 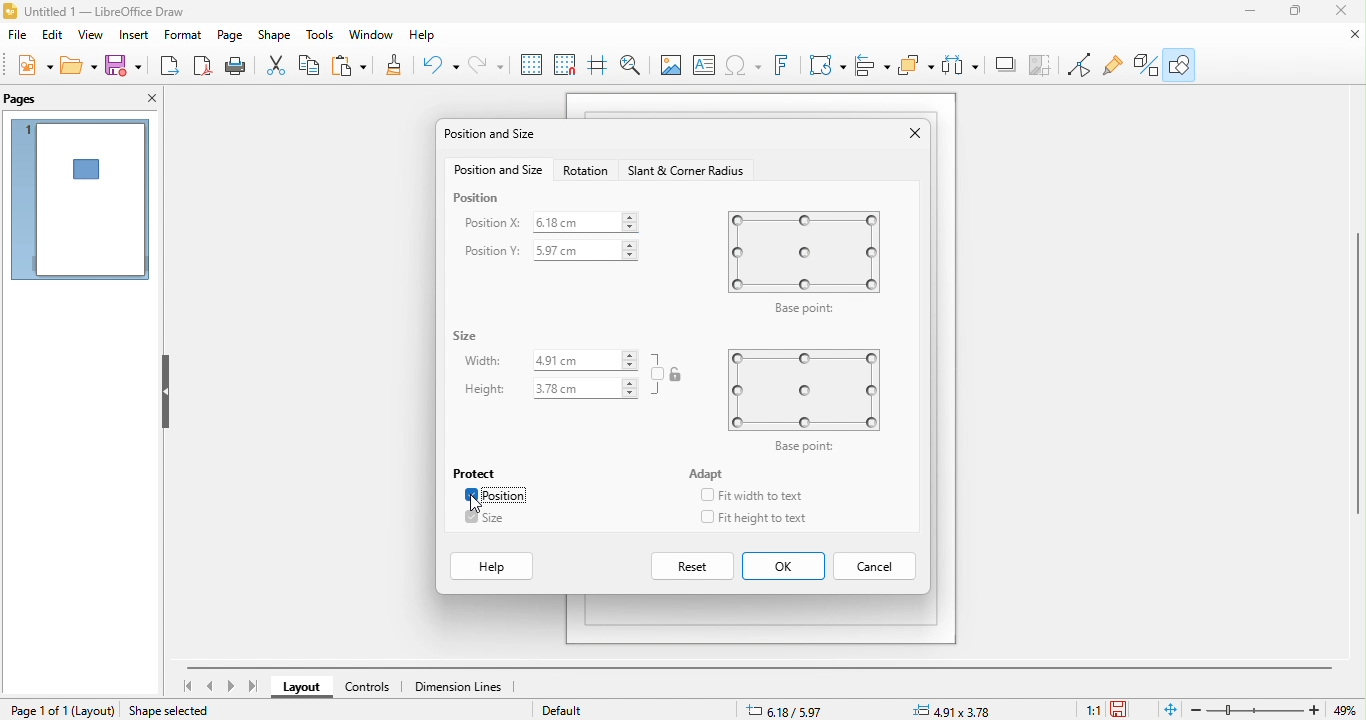 I want to click on align object, so click(x=872, y=65).